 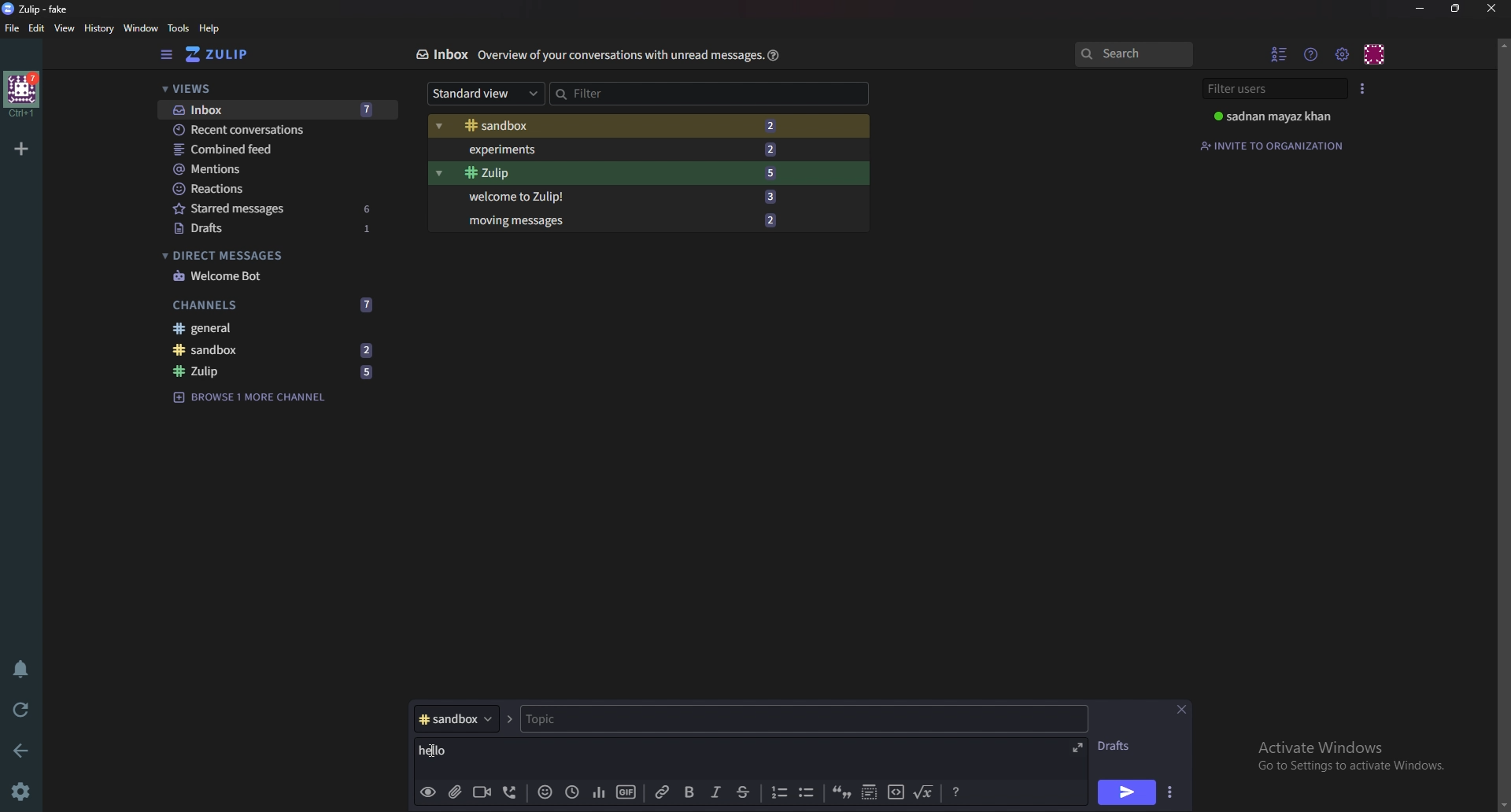 I want to click on cursor, so click(x=440, y=750).